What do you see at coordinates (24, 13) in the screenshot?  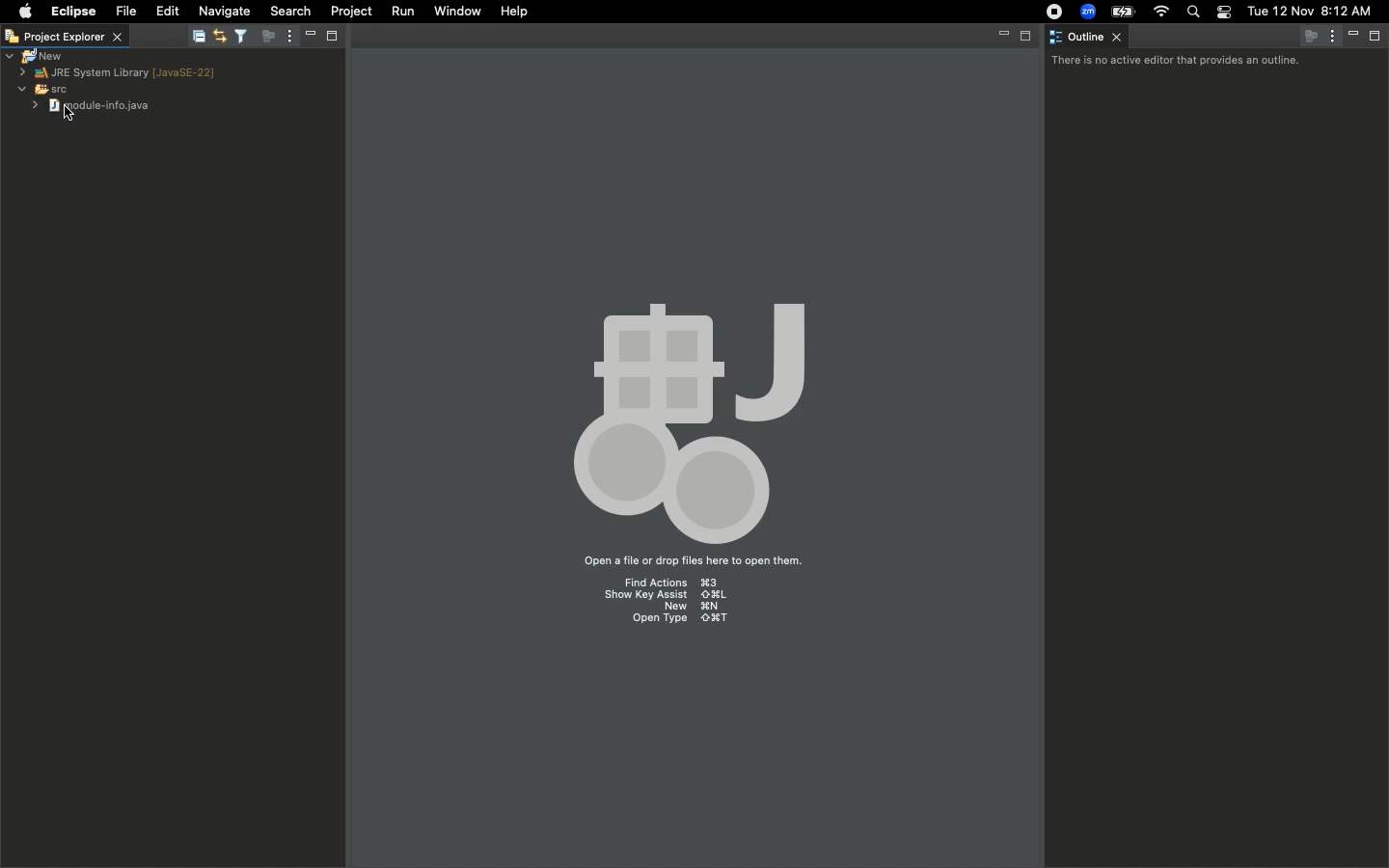 I see `Apple logo` at bounding box center [24, 13].